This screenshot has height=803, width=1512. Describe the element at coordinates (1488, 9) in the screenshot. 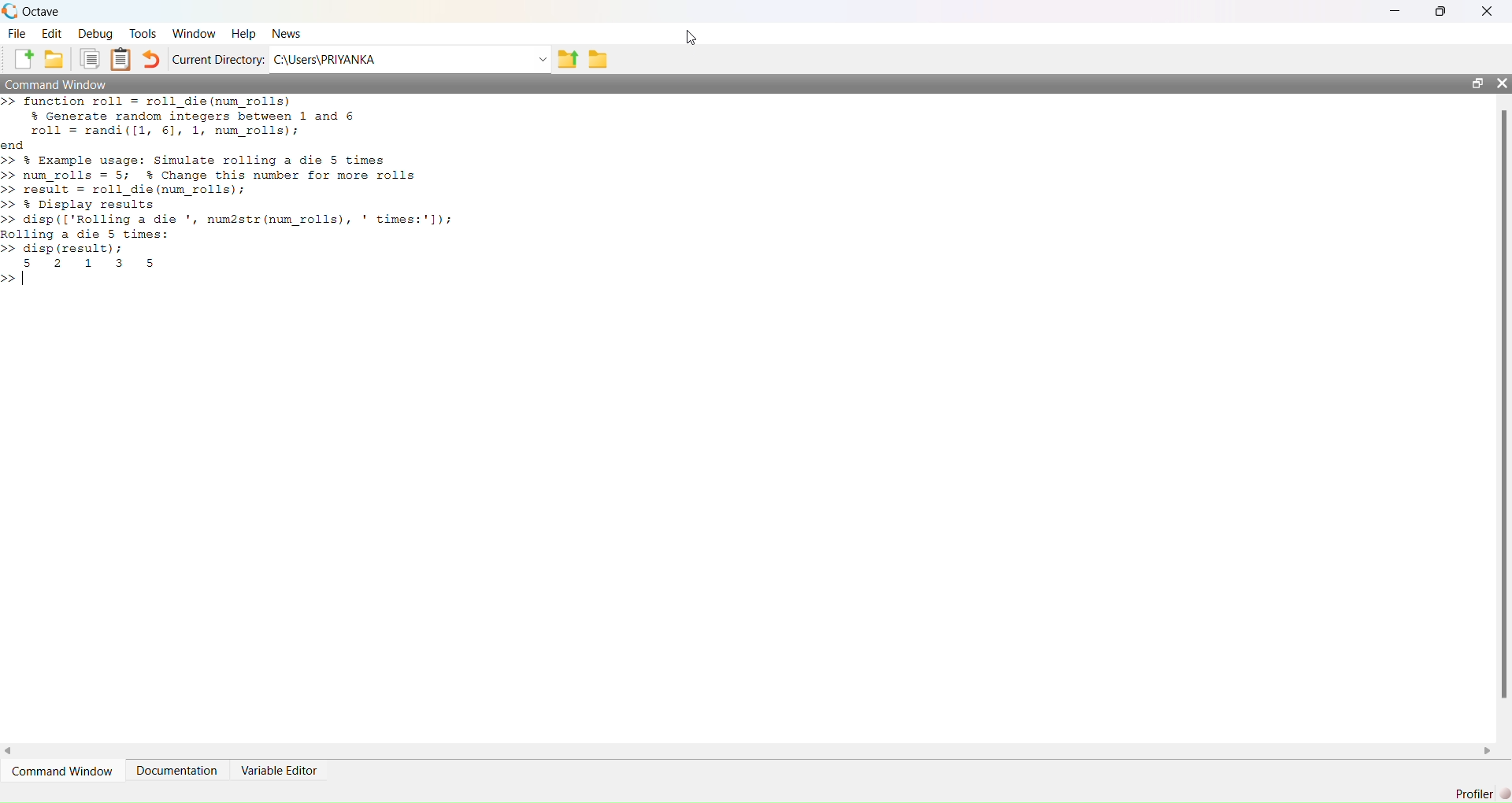

I see `close` at that location.